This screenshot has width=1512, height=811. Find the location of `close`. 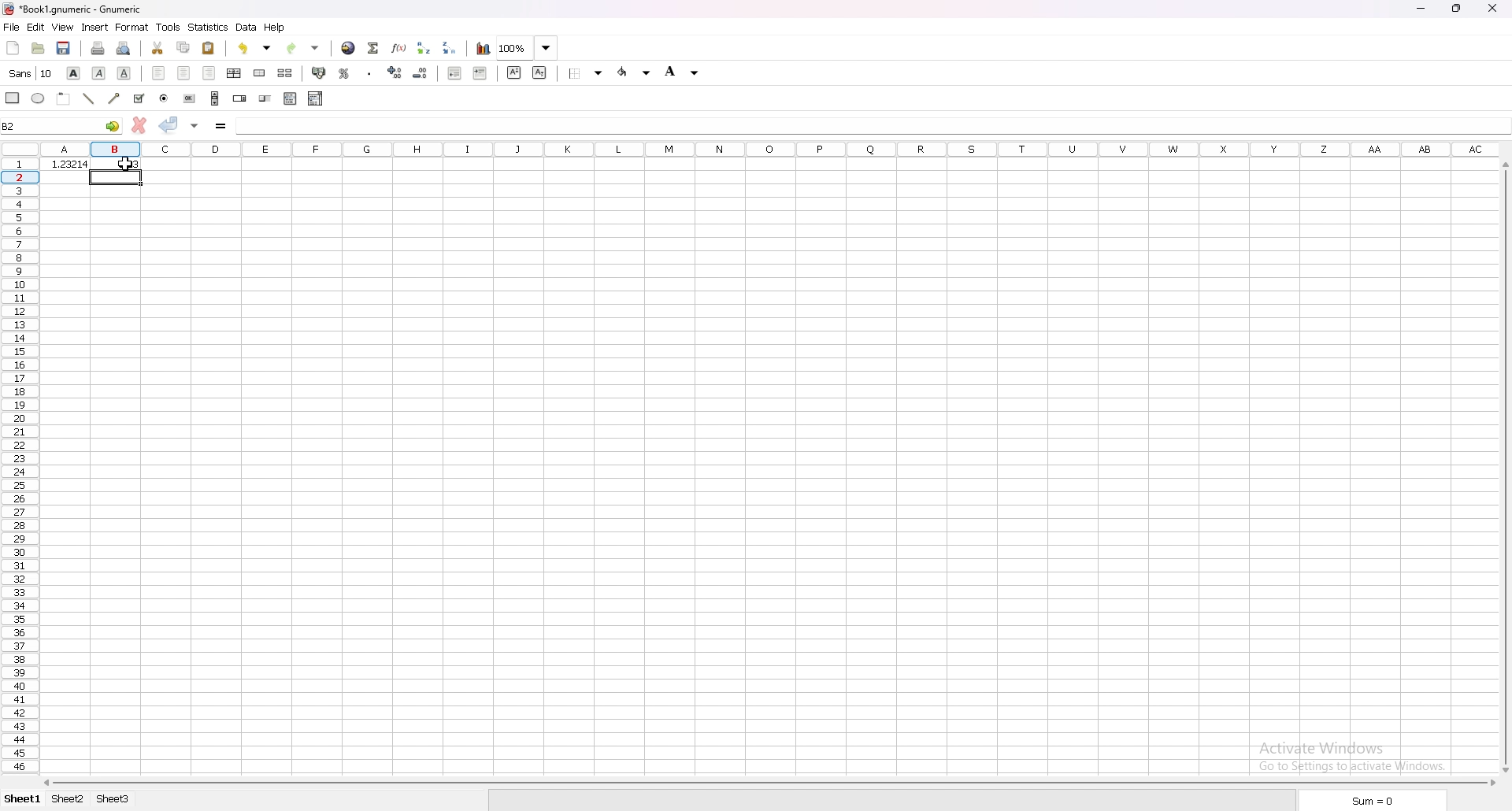

close is located at coordinates (1494, 8).